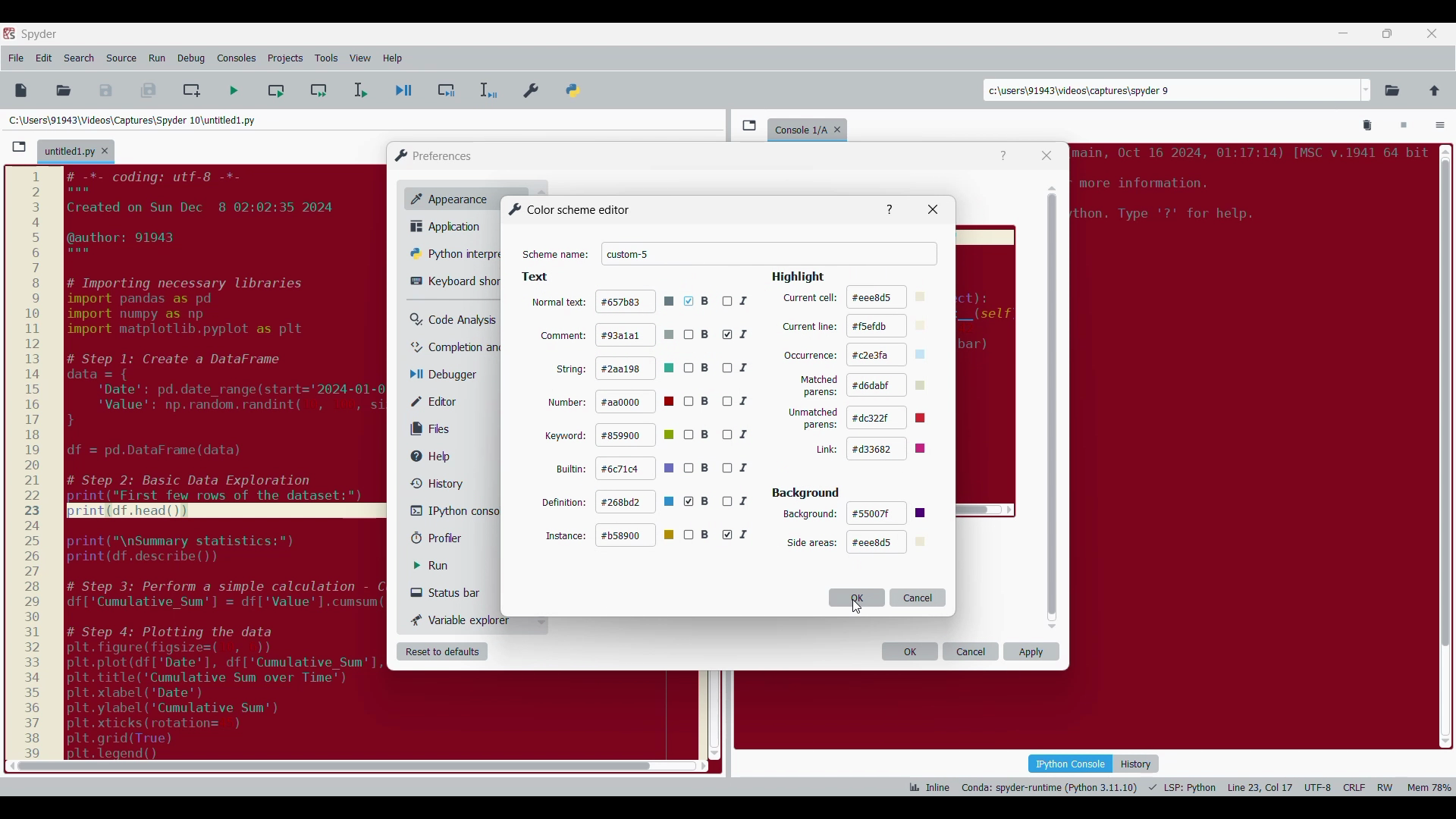 This screenshot has height=819, width=1456. I want to click on OK, so click(857, 598).